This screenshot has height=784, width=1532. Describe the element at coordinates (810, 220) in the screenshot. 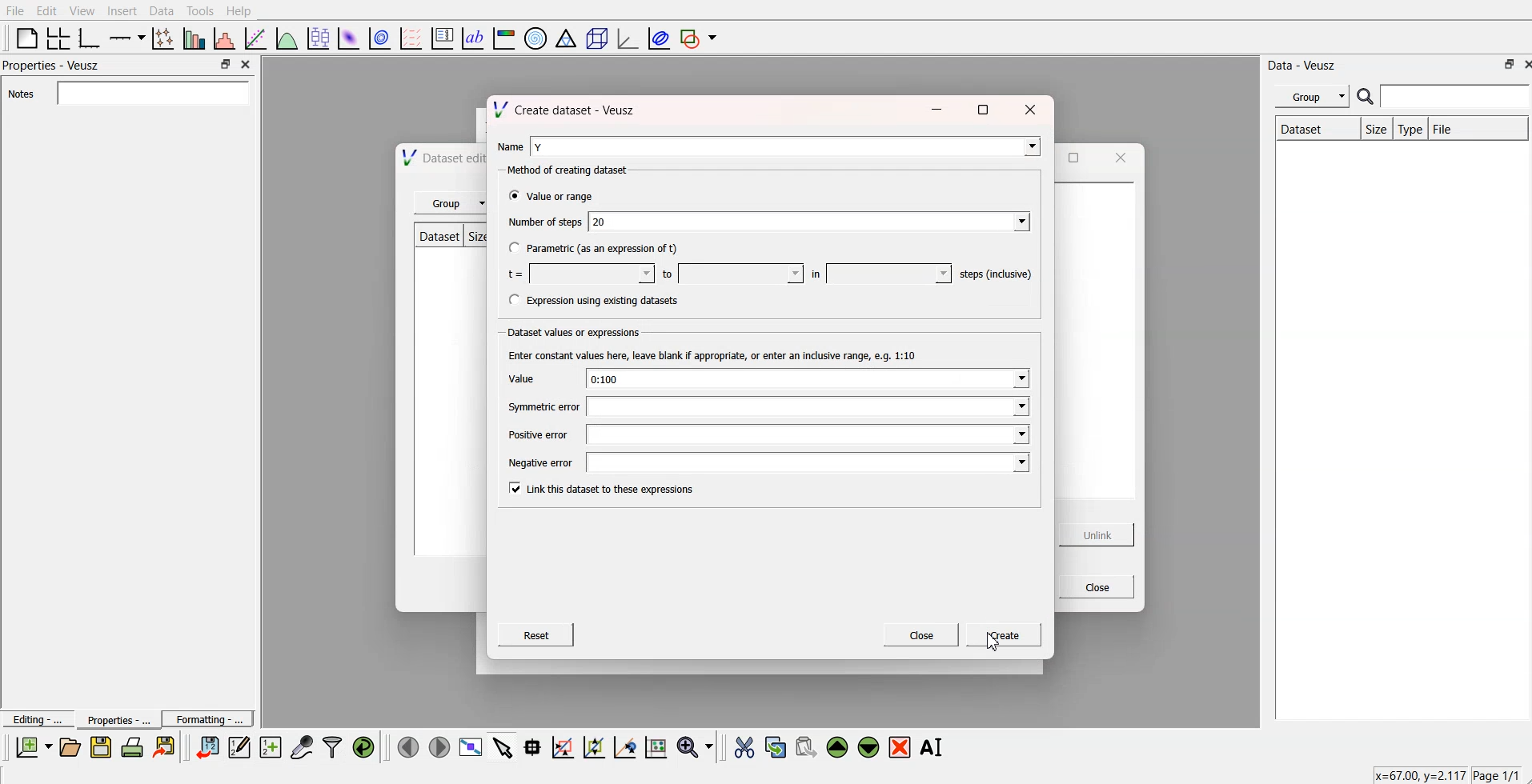

I see `20` at that location.